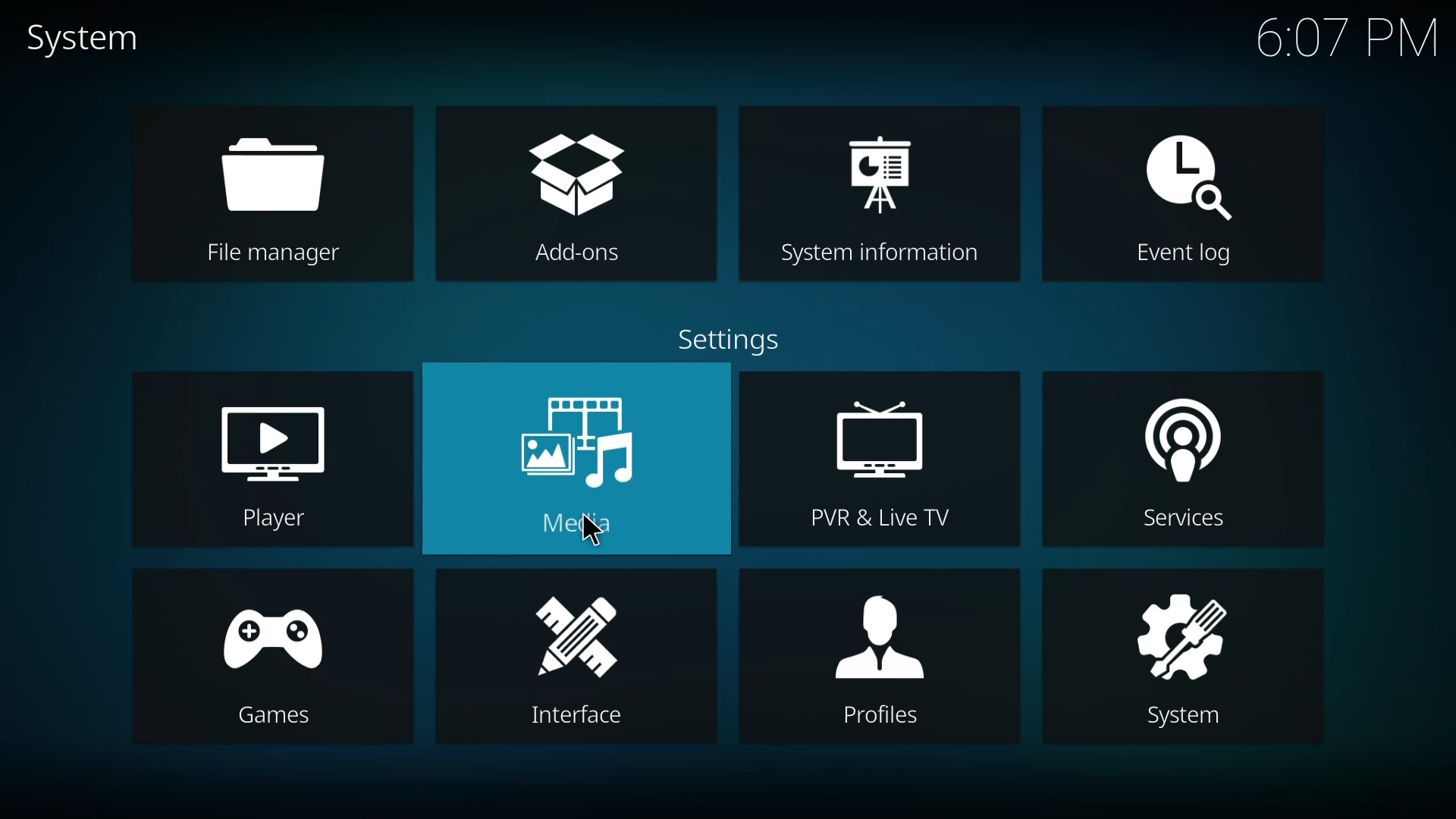 The height and width of the screenshot is (819, 1456). What do you see at coordinates (878, 632) in the screenshot?
I see `profiles` at bounding box center [878, 632].